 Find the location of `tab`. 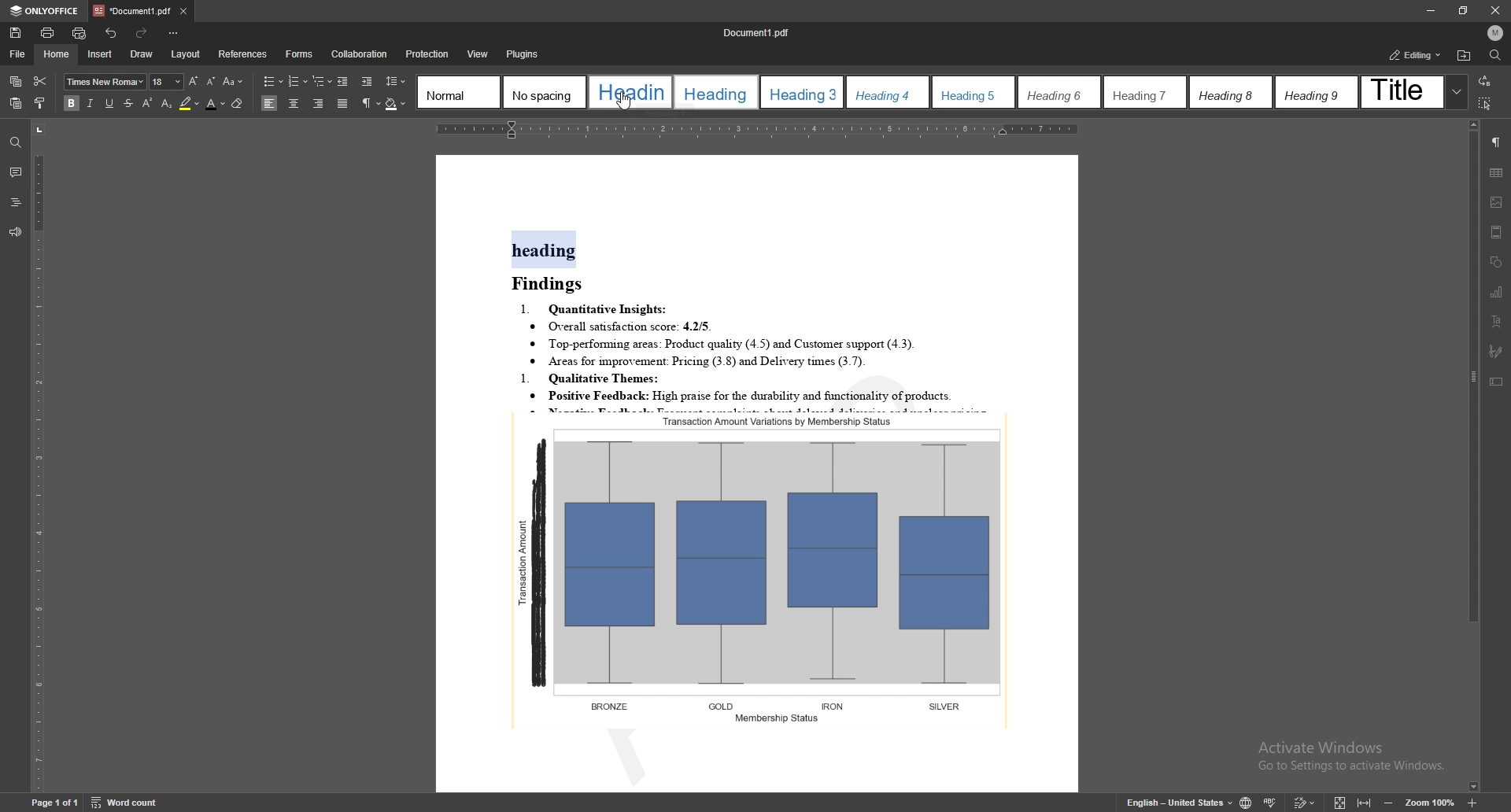

tab is located at coordinates (131, 10).